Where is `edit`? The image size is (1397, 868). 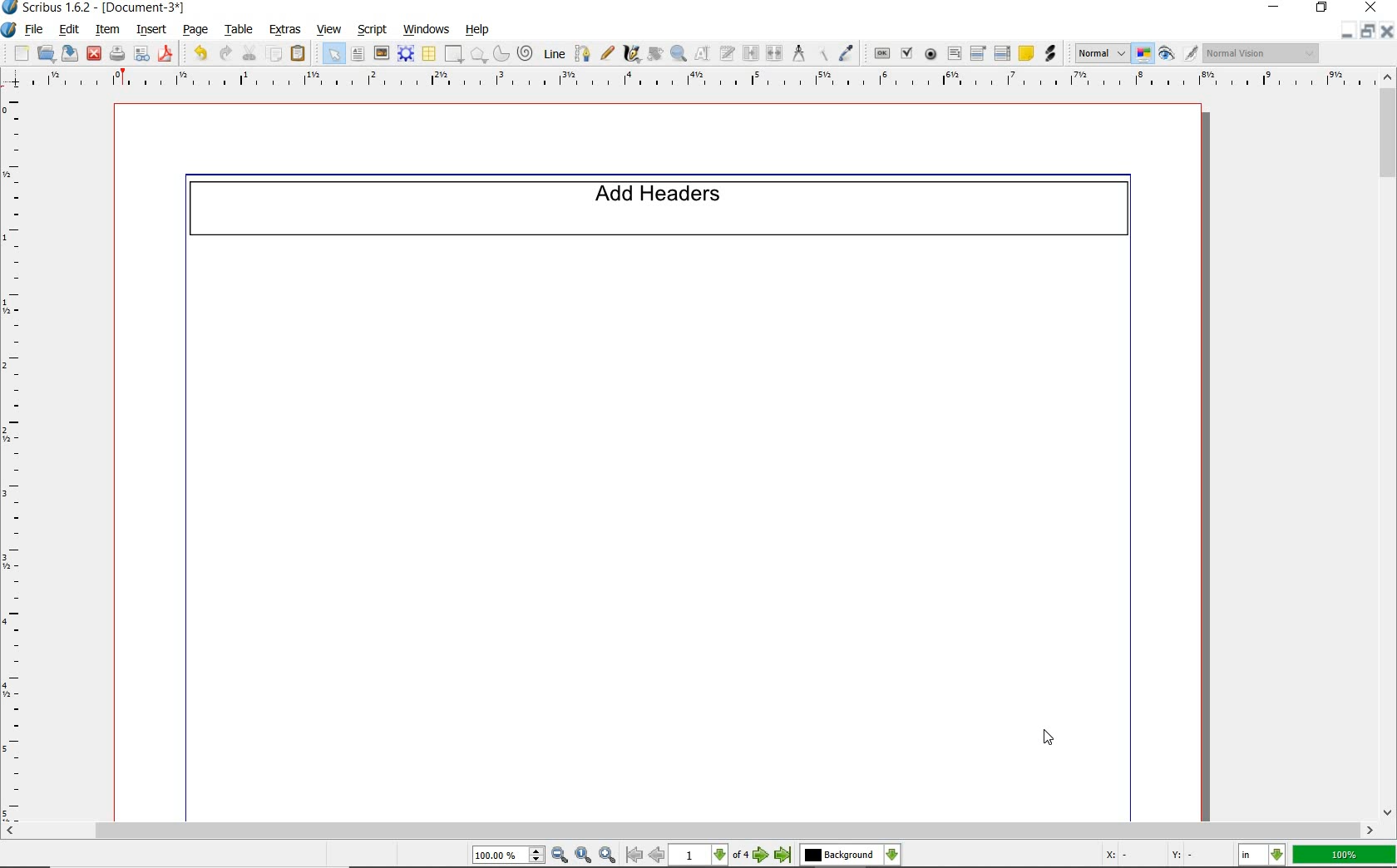 edit is located at coordinates (68, 30).